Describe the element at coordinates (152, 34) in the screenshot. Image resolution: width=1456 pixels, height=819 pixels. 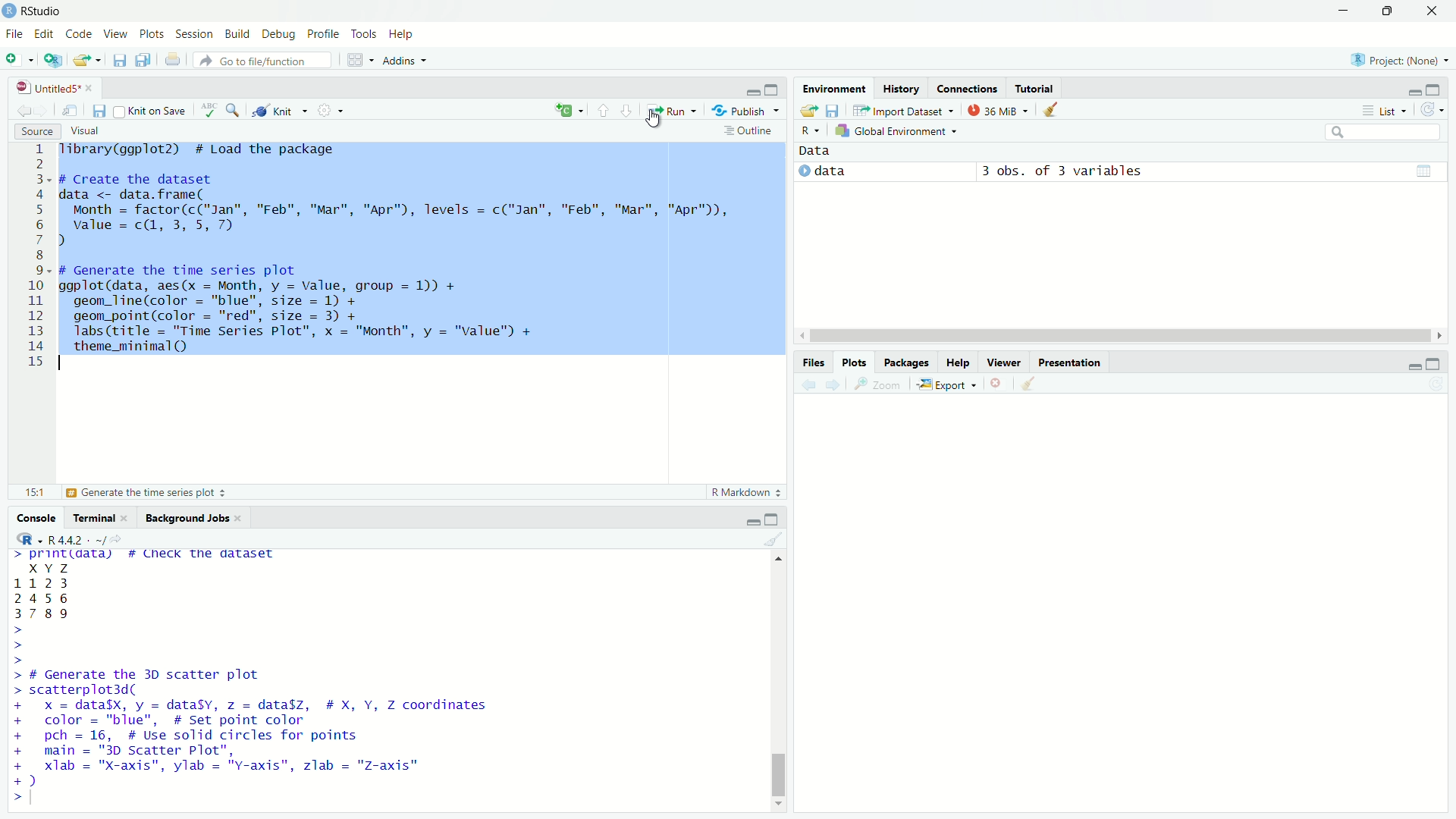
I see `plots` at that location.